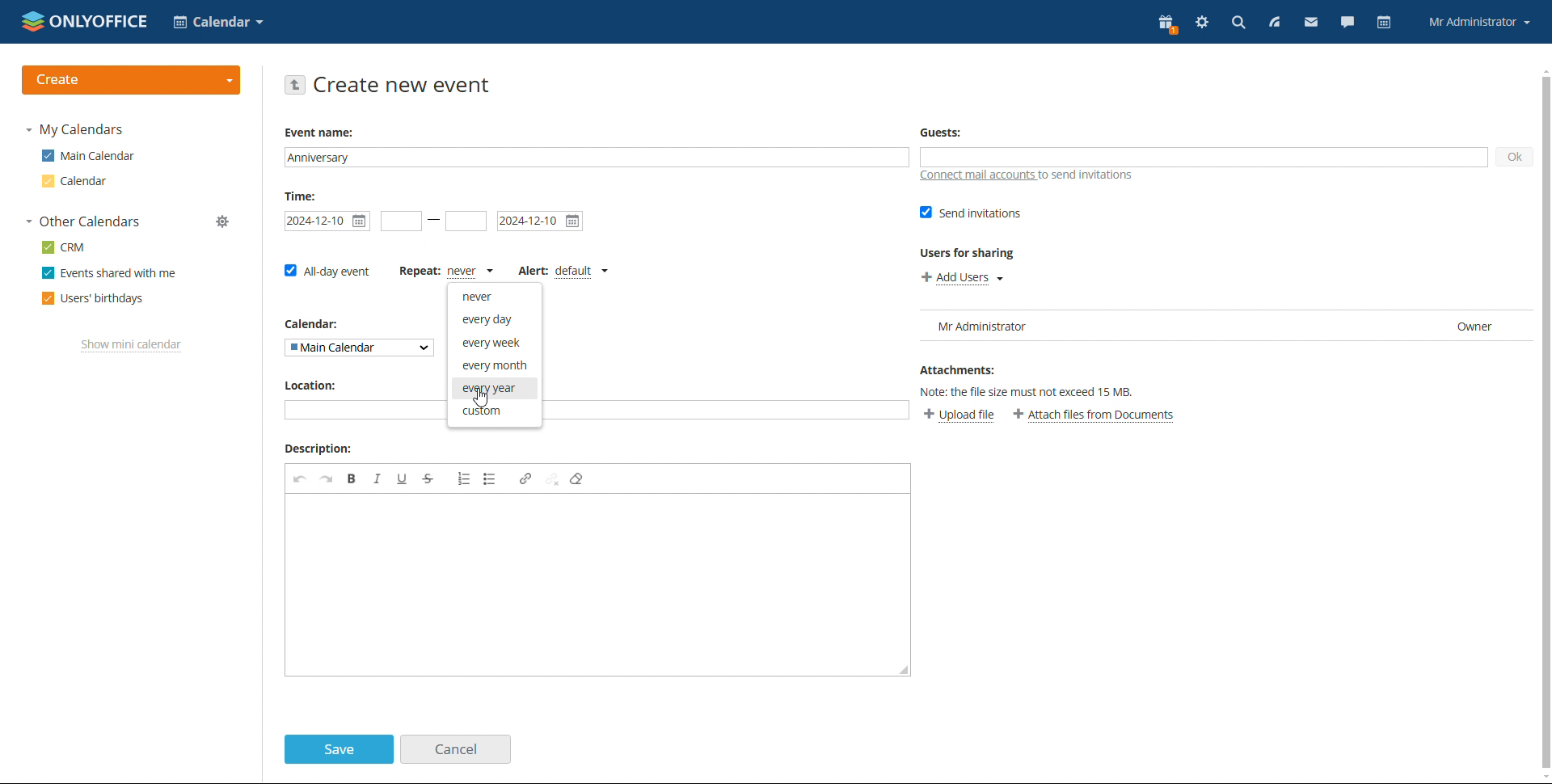 The width and height of the screenshot is (1552, 784). I want to click on underline, so click(402, 478).